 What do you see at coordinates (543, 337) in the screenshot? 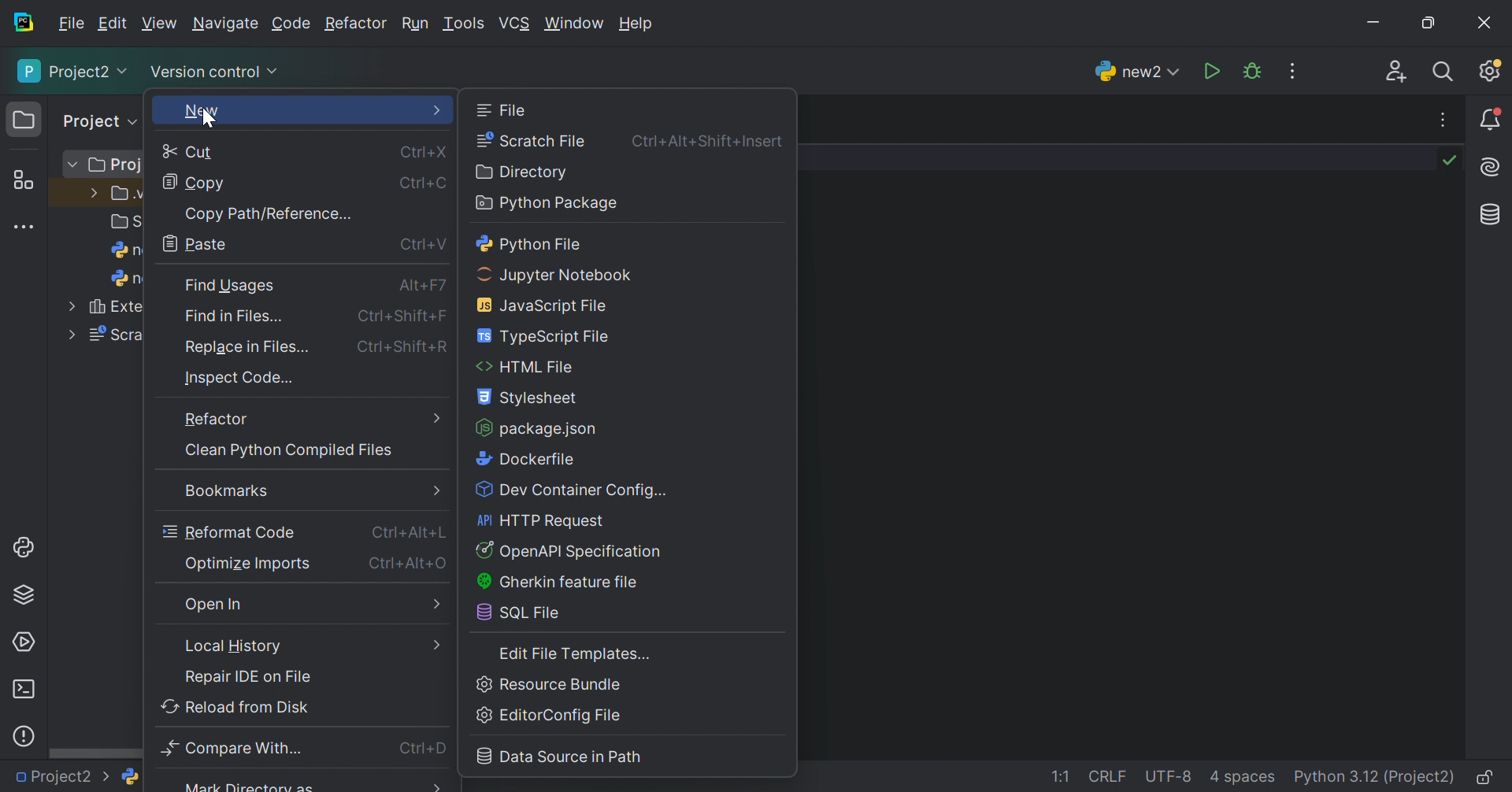
I see `TypeScript file` at bounding box center [543, 337].